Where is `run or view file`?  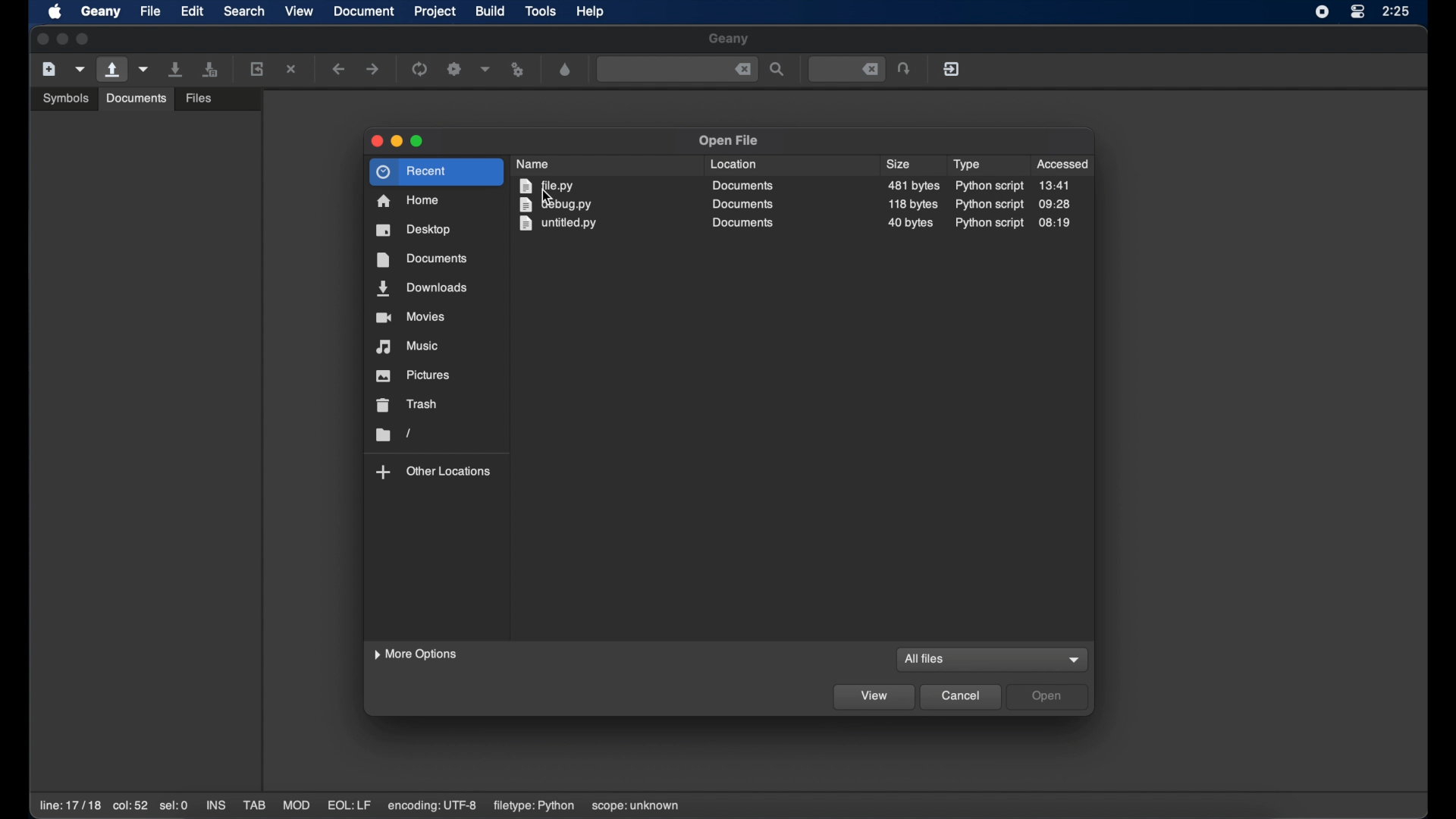
run or view file is located at coordinates (517, 71).